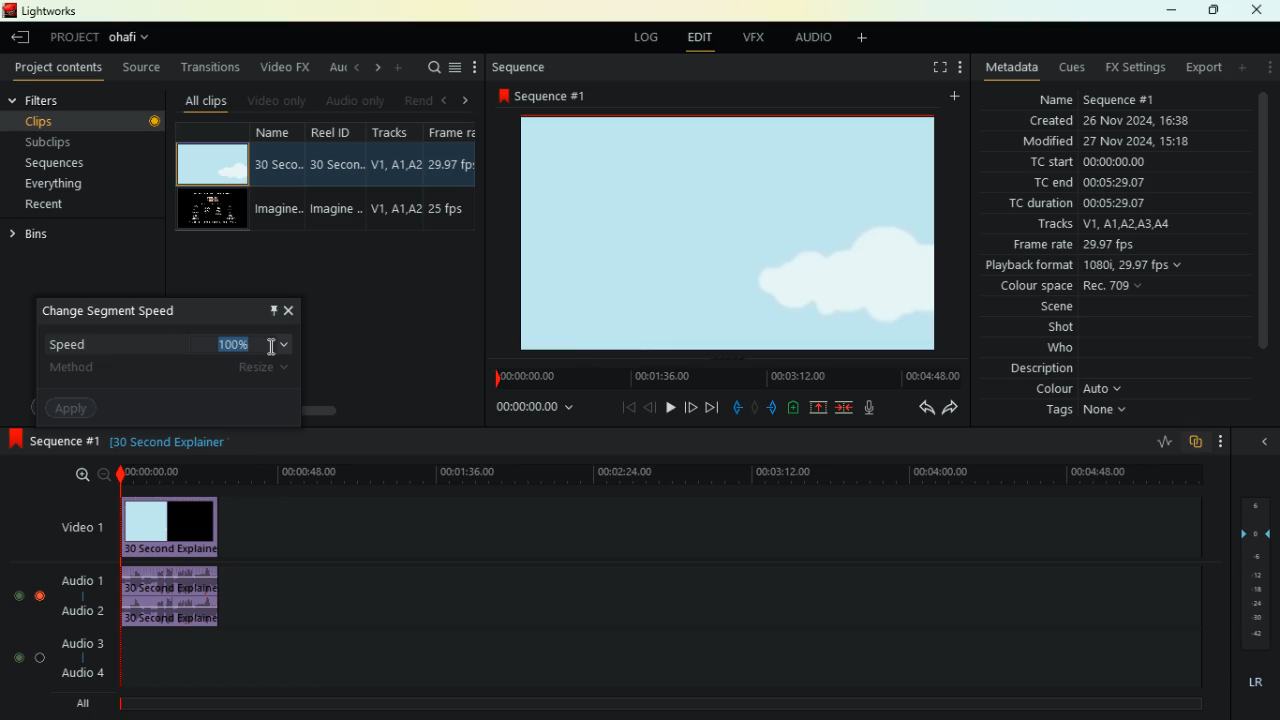  I want to click on back, so click(18, 38).